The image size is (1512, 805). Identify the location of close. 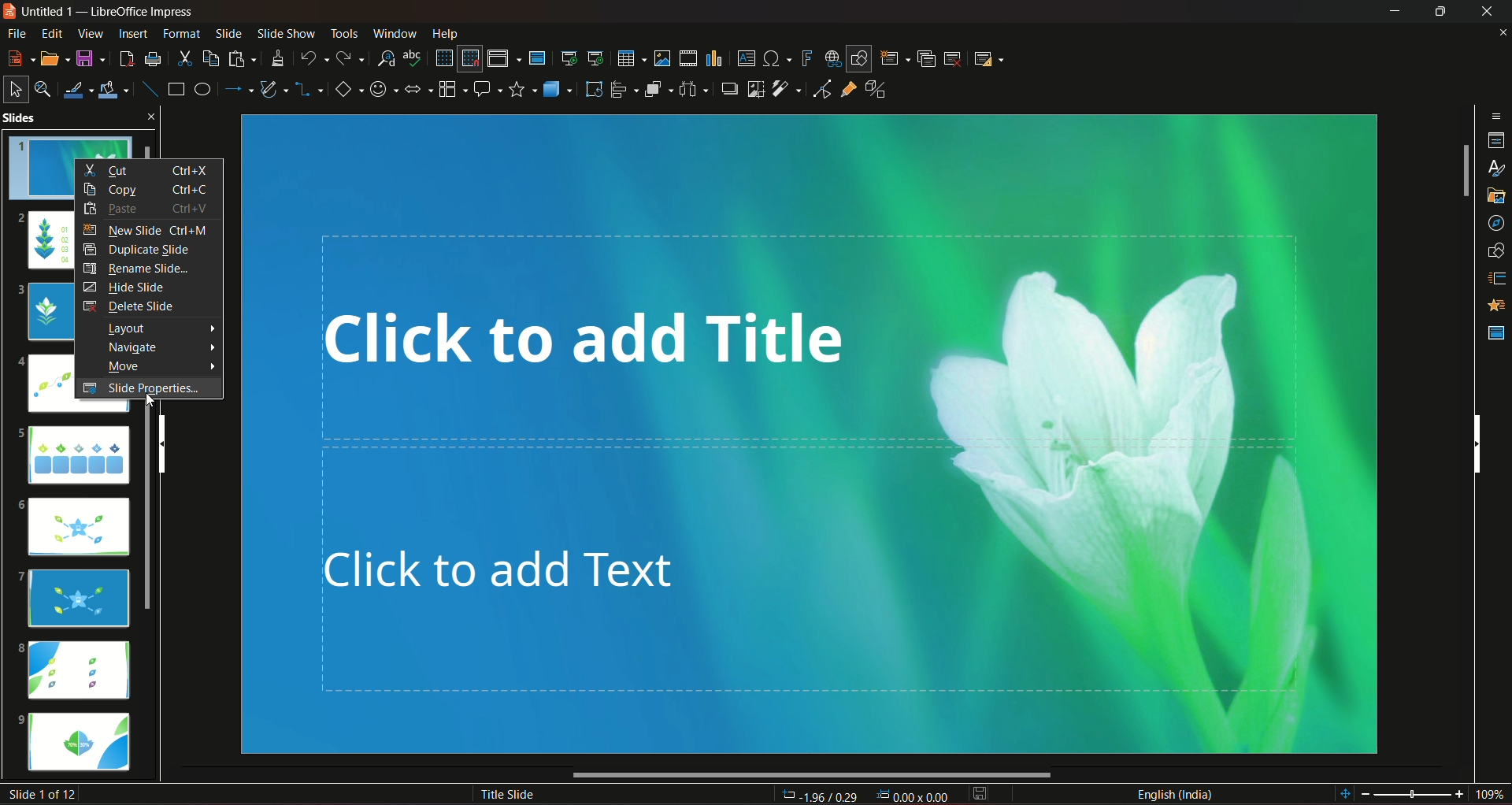
(1499, 33).